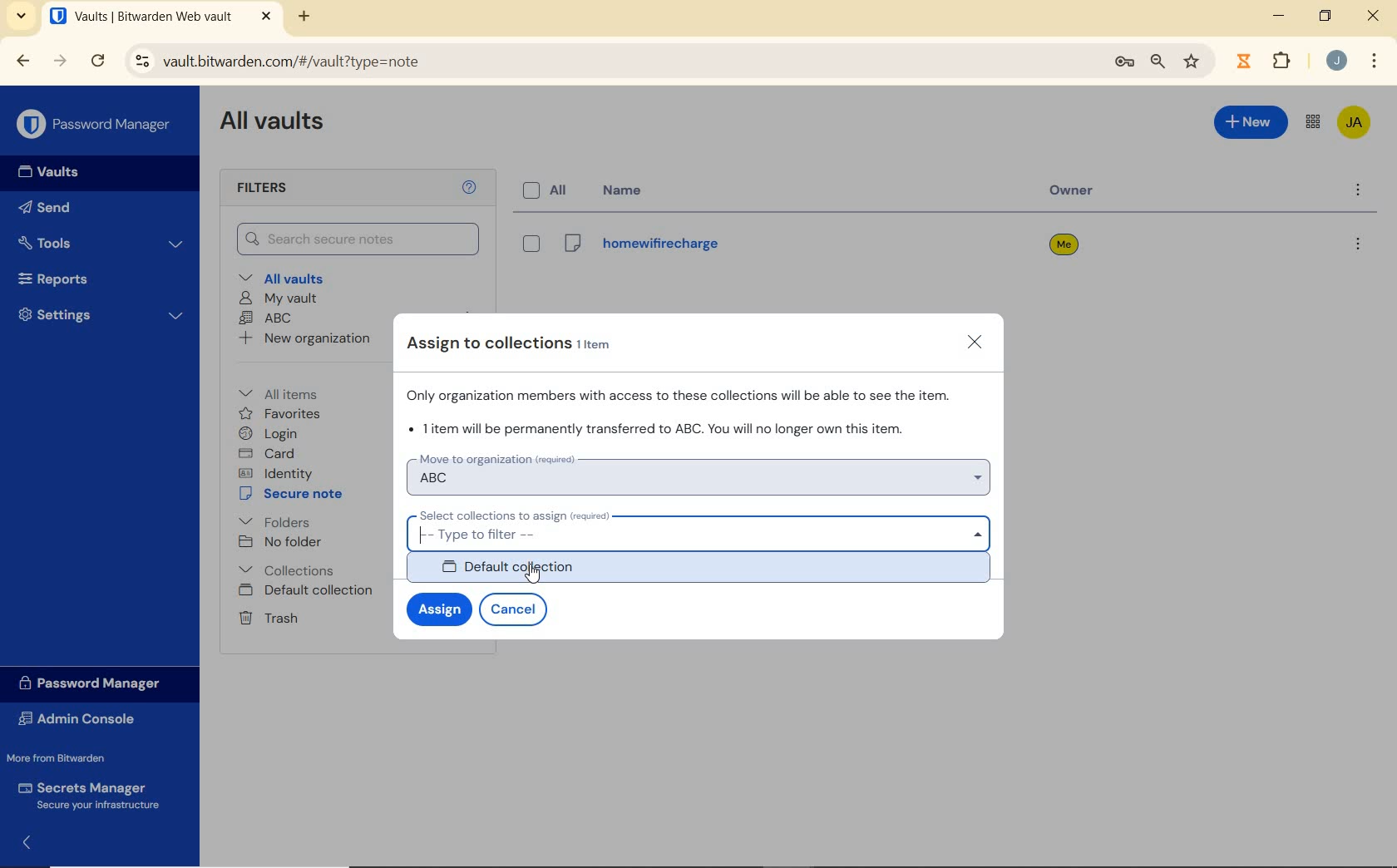 The height and width of the screenshot is (868, 1397). What do you see at coordinates (1356, 246) in the screenshot?
I see `more options` at bounding box center [1356, 246].